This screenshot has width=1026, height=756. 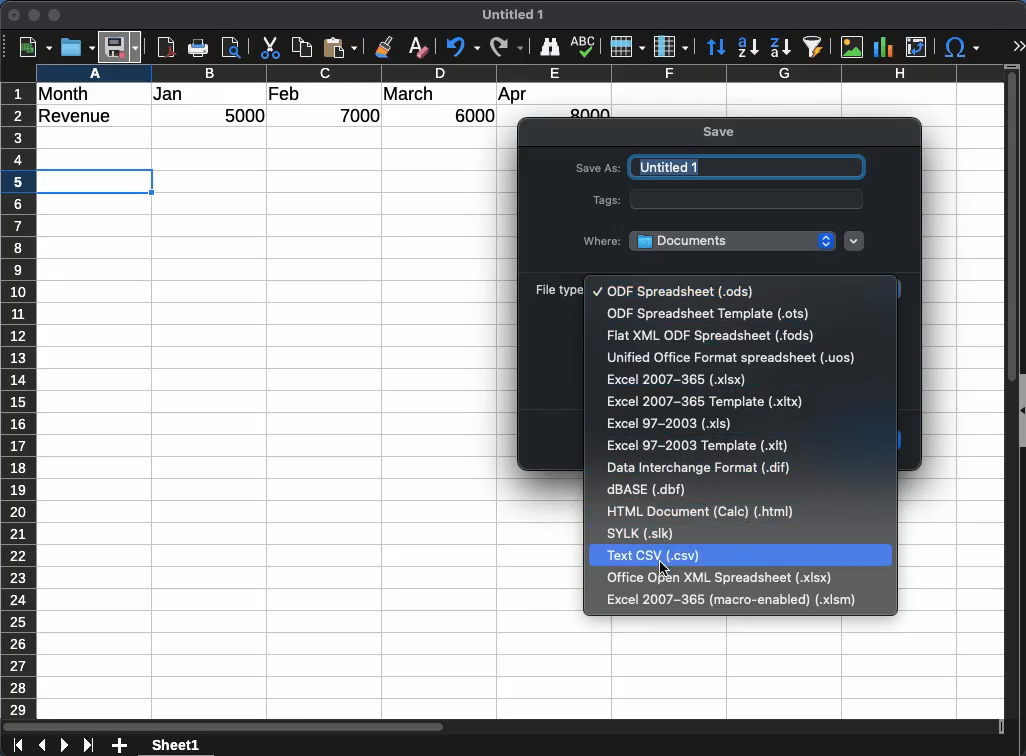 I want to click on month, so click(x=68, y=93).